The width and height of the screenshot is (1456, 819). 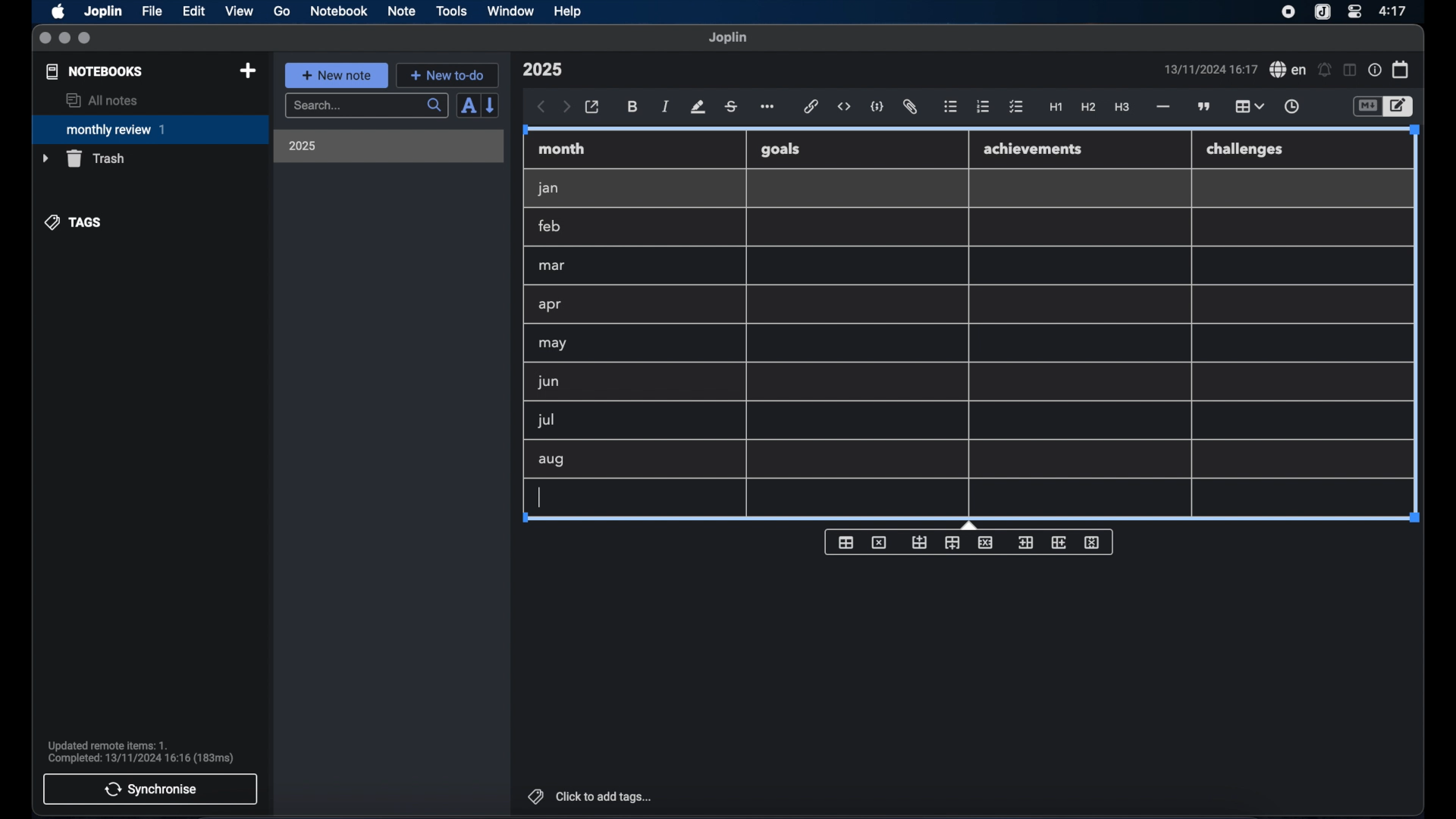 What do you see at coordinates (1351, 70) in the screenshot?
I see `toggle editor layout` at bounding box center [1351, 70].